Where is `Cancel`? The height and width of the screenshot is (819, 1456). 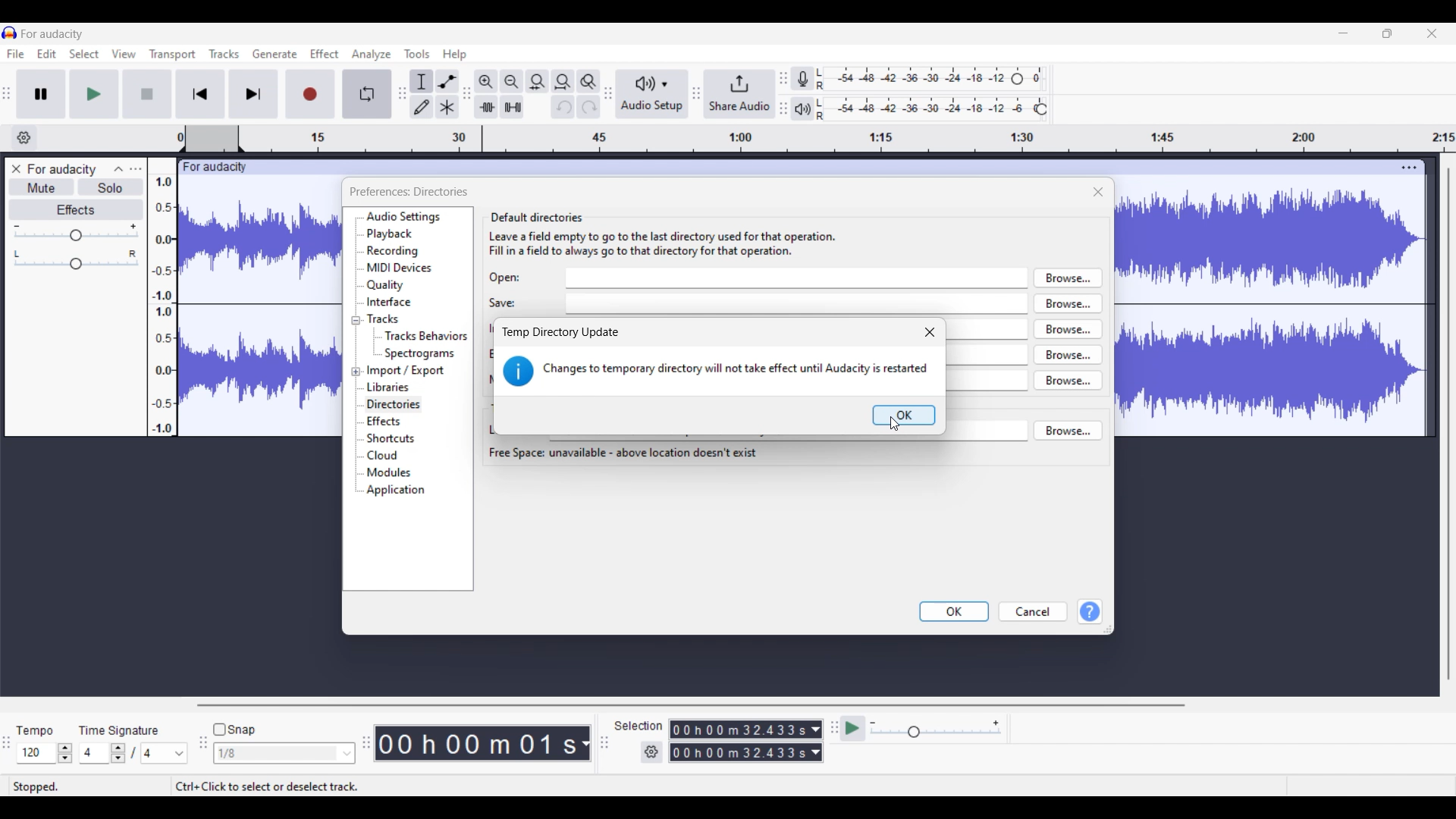
Cancel is located at coordinates (1034, 612).